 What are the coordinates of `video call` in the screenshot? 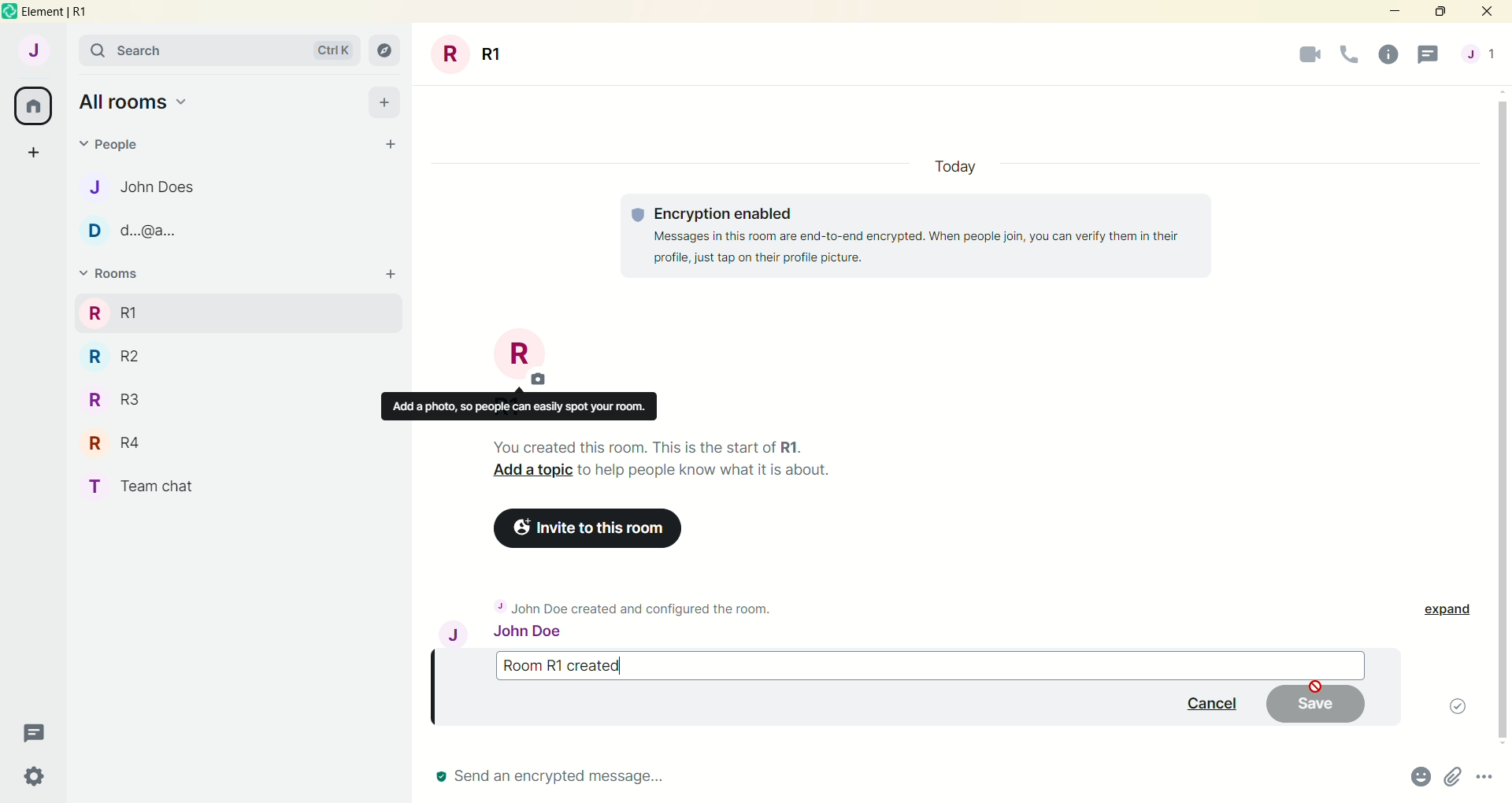 It's located at (1308, 56).